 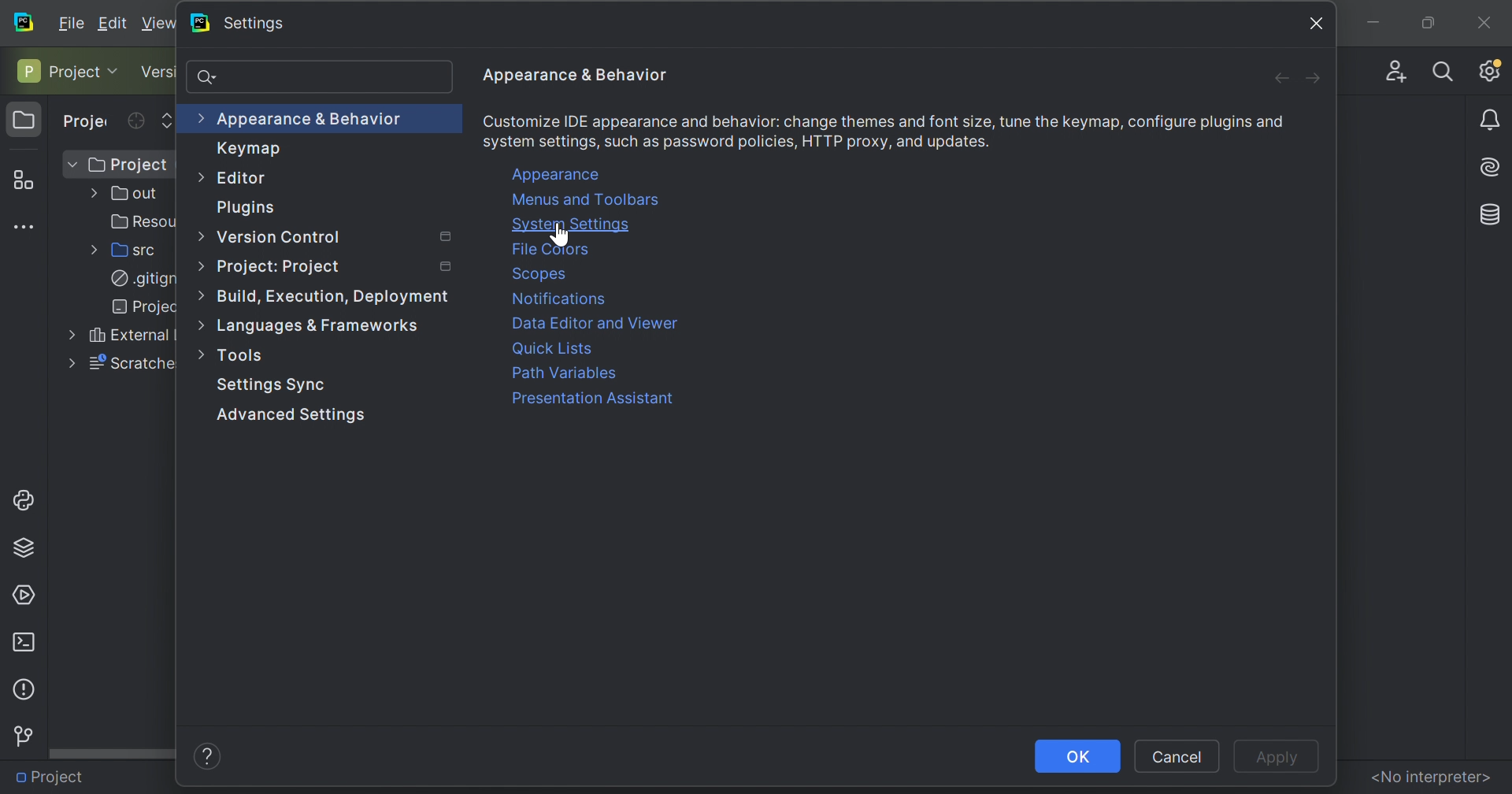 What do you see at coordinates (116, 23) in the screenshot?
I see `Edit` at bounding box center [116, 23].